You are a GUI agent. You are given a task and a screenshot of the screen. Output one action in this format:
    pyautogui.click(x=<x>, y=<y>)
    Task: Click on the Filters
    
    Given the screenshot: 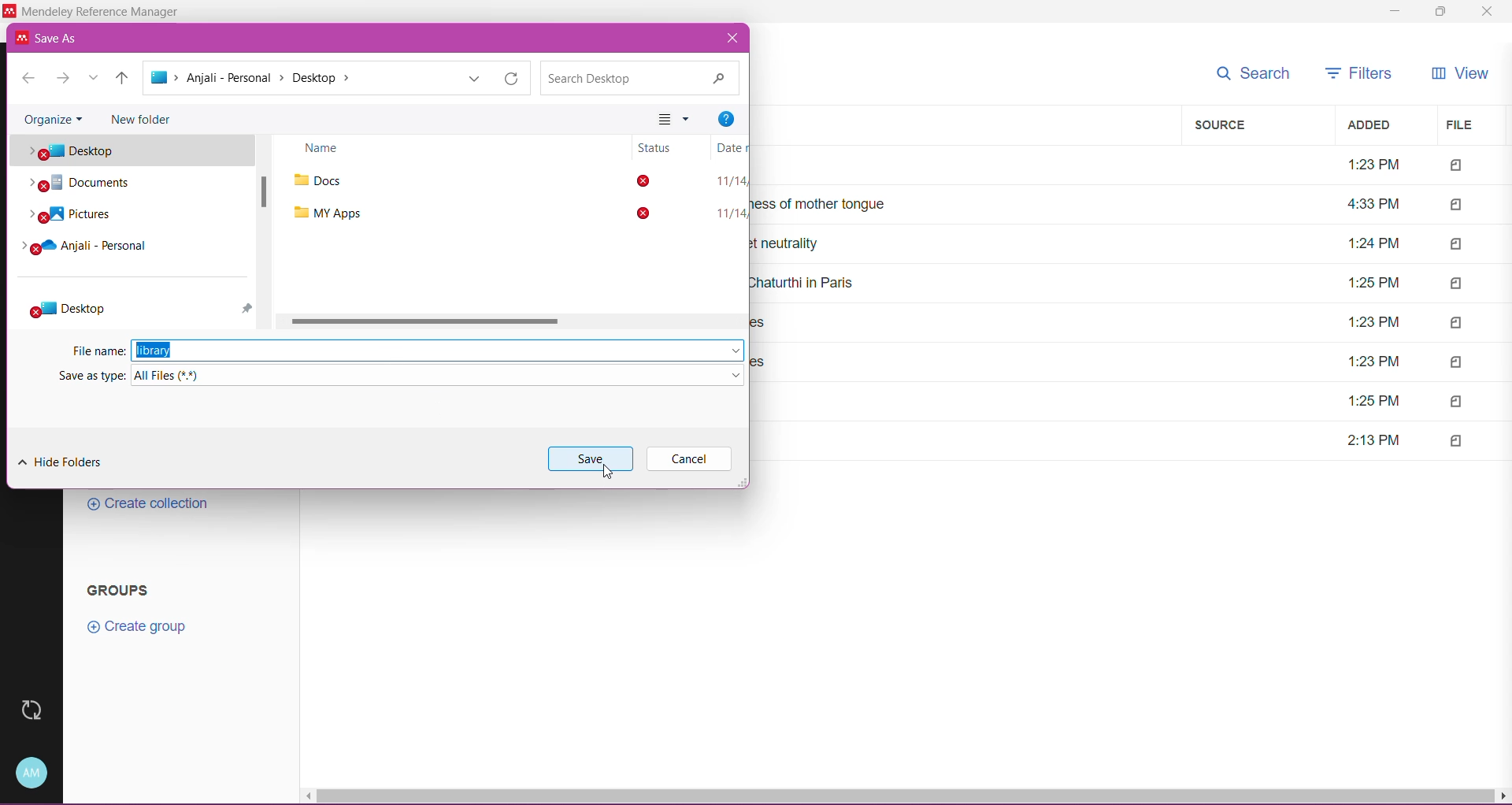 What is the action you would take?
    pyautogui.click(x=1354, y=72)
    